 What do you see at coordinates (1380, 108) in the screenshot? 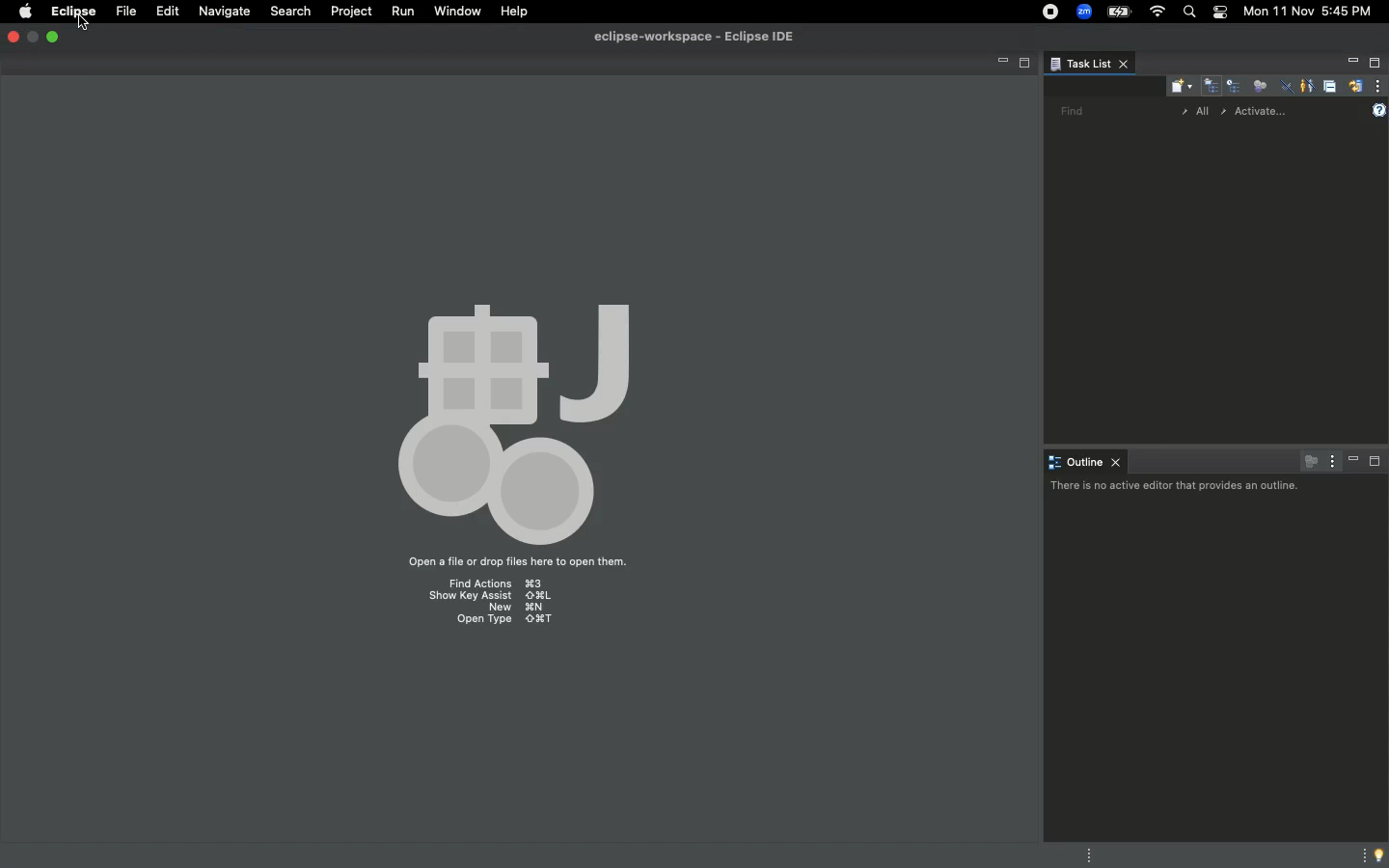
I see `Help` at bounding box center [1380, 108].